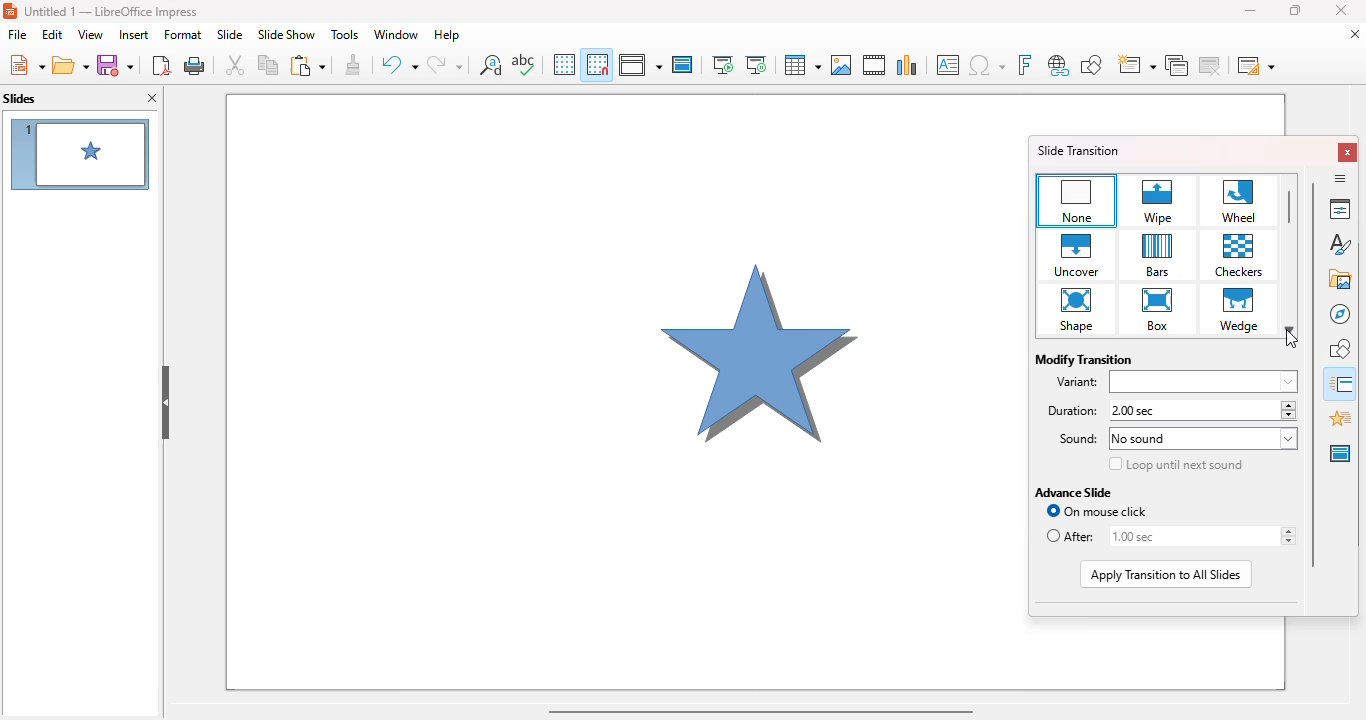  What do you see at coordinates (70, 64) in the screenshot?
I see `open` at bounding box center [70, 64].